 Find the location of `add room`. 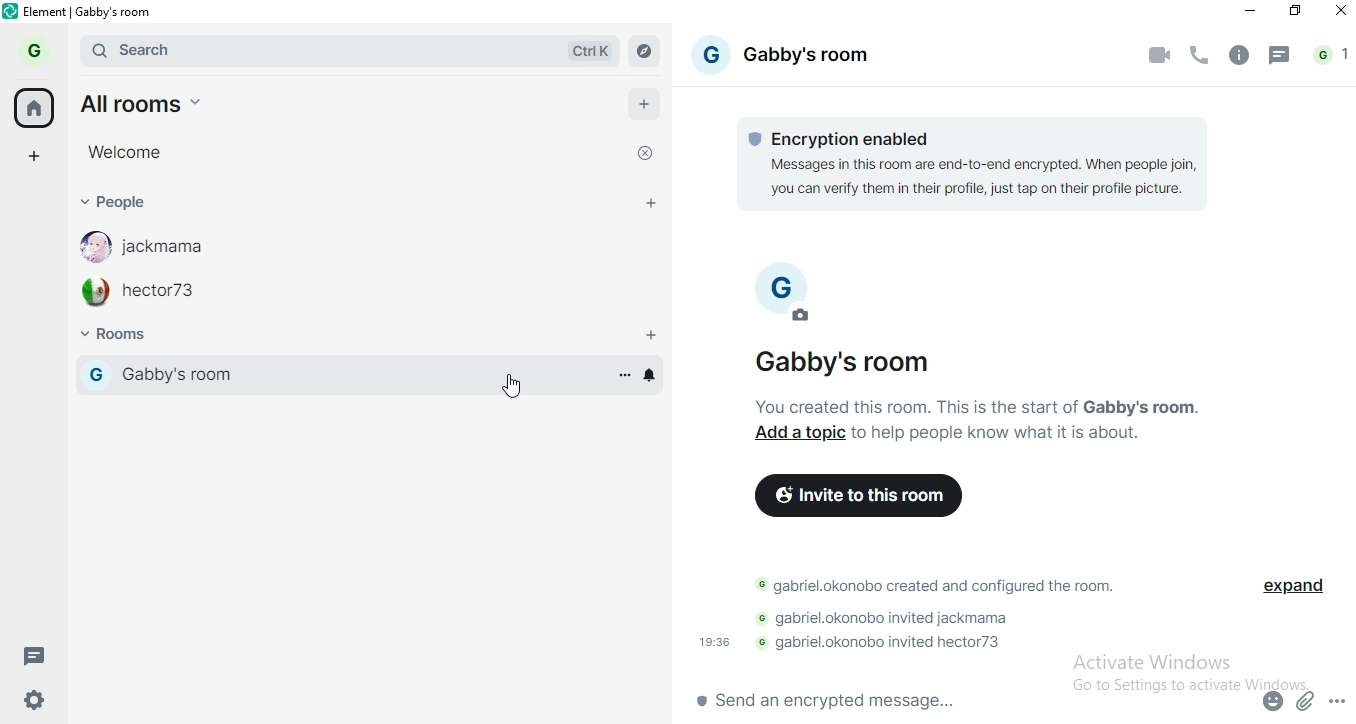

add room is located at coordinates (653, 331).